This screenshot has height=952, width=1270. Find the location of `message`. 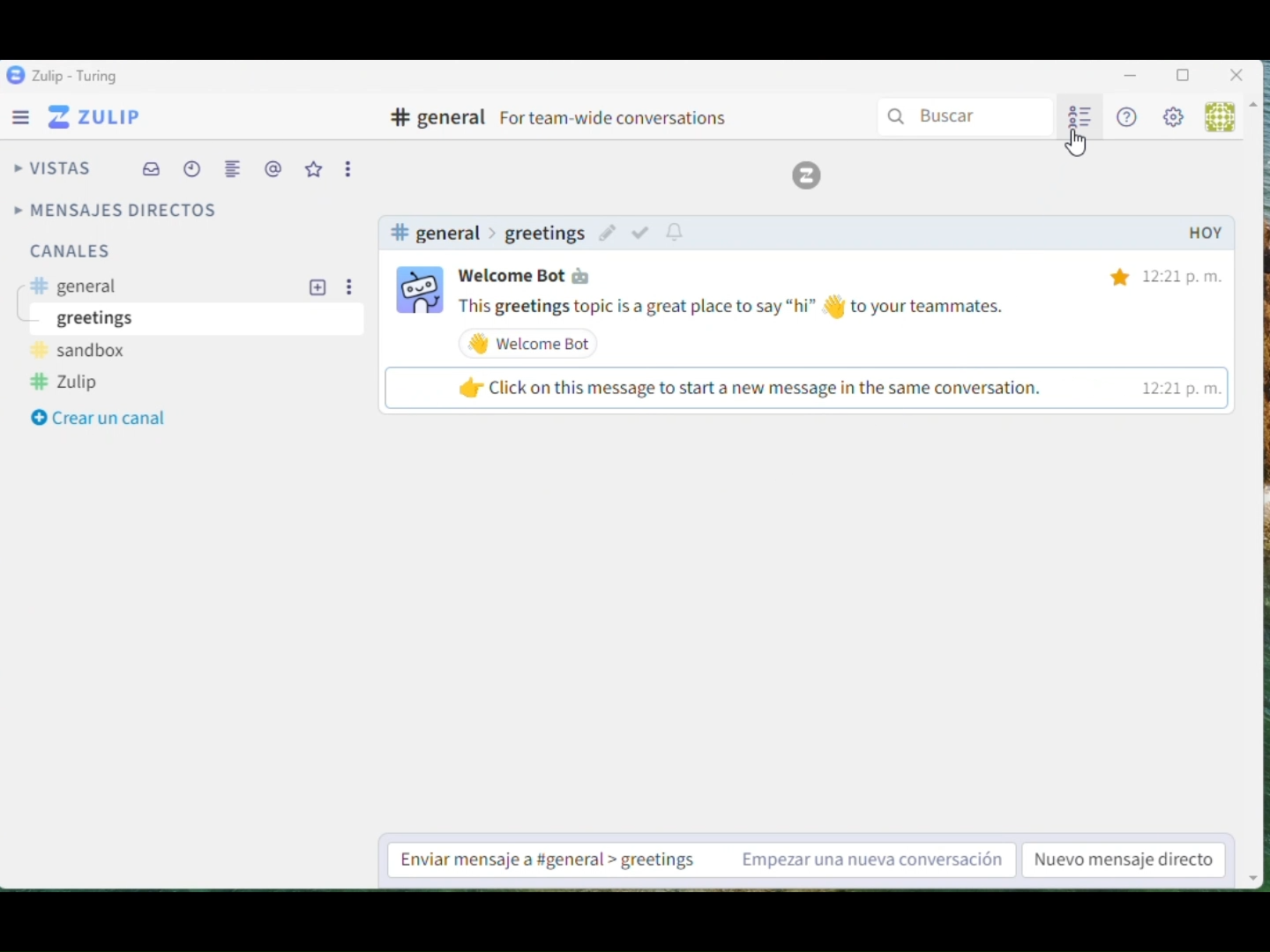

message is located at coordinates (766, 353).